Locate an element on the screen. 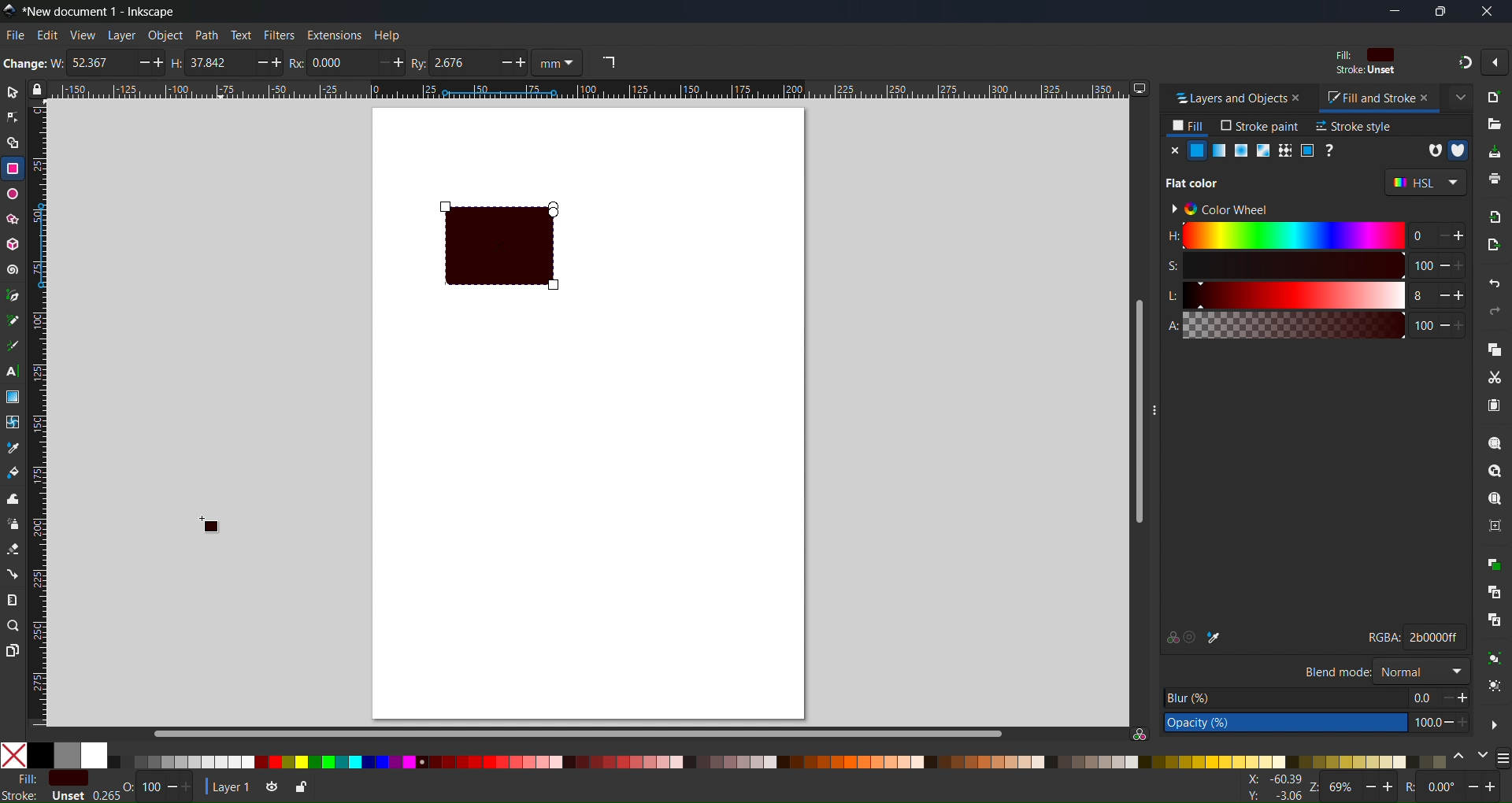  Minimize is located at coordinates (1394, 11).